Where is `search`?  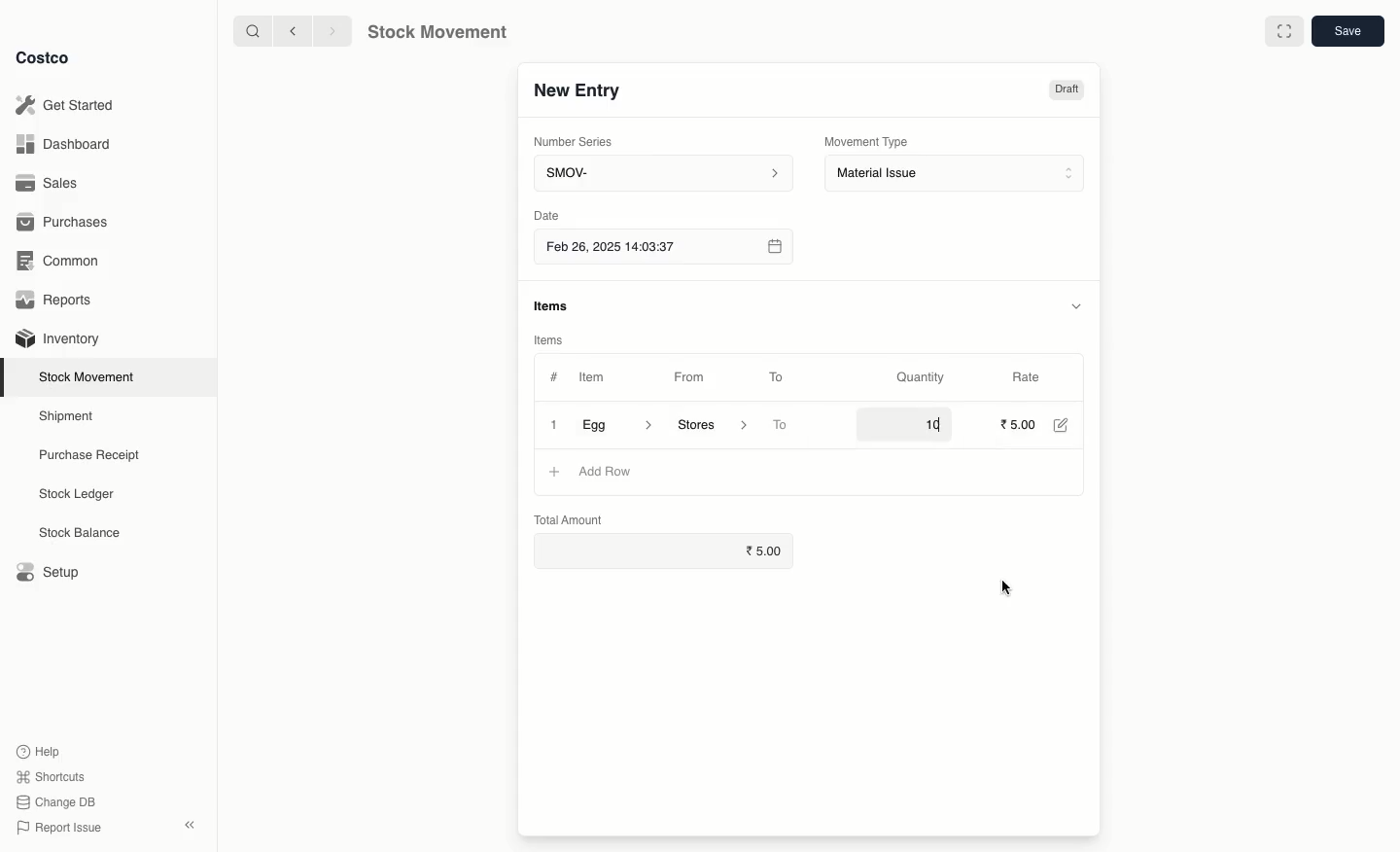
search is located at coordinates (255, 32).